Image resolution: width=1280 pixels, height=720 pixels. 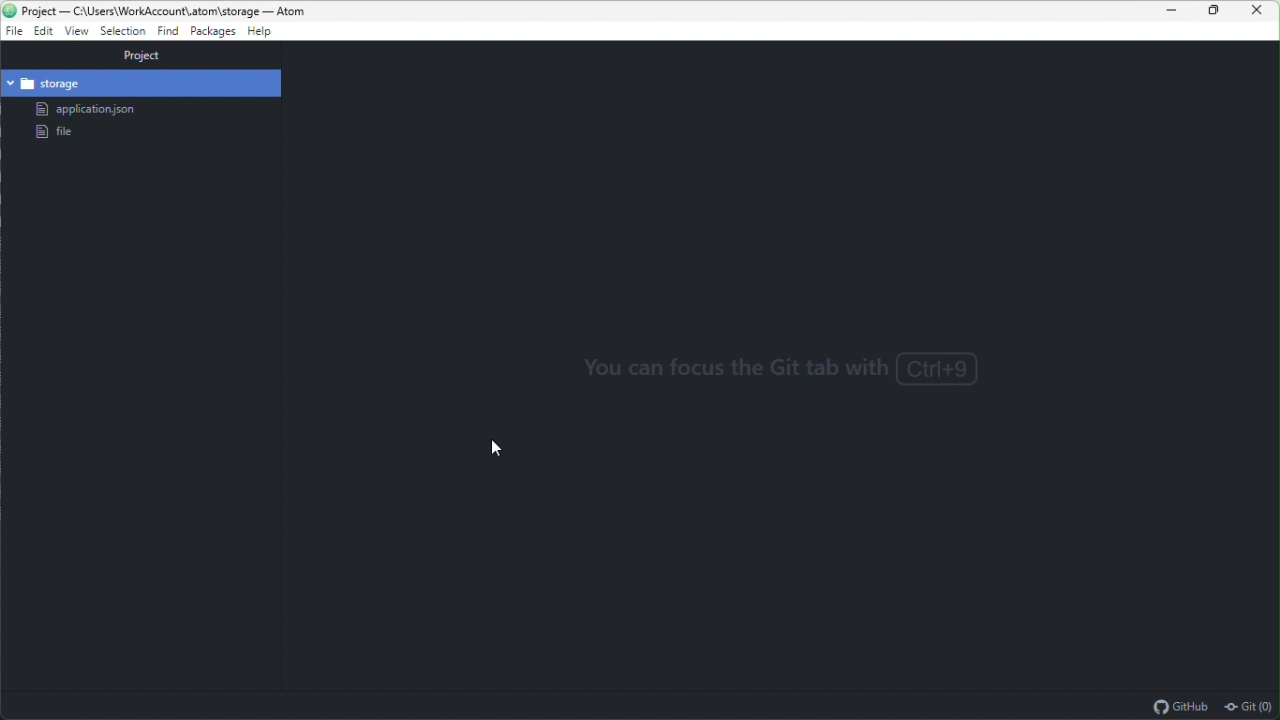 What do you see at coordinates (804, 374) in the screenshot?
I see `You can focus the Git tab with Ctrl + 9` at bounding box center [804, 374].